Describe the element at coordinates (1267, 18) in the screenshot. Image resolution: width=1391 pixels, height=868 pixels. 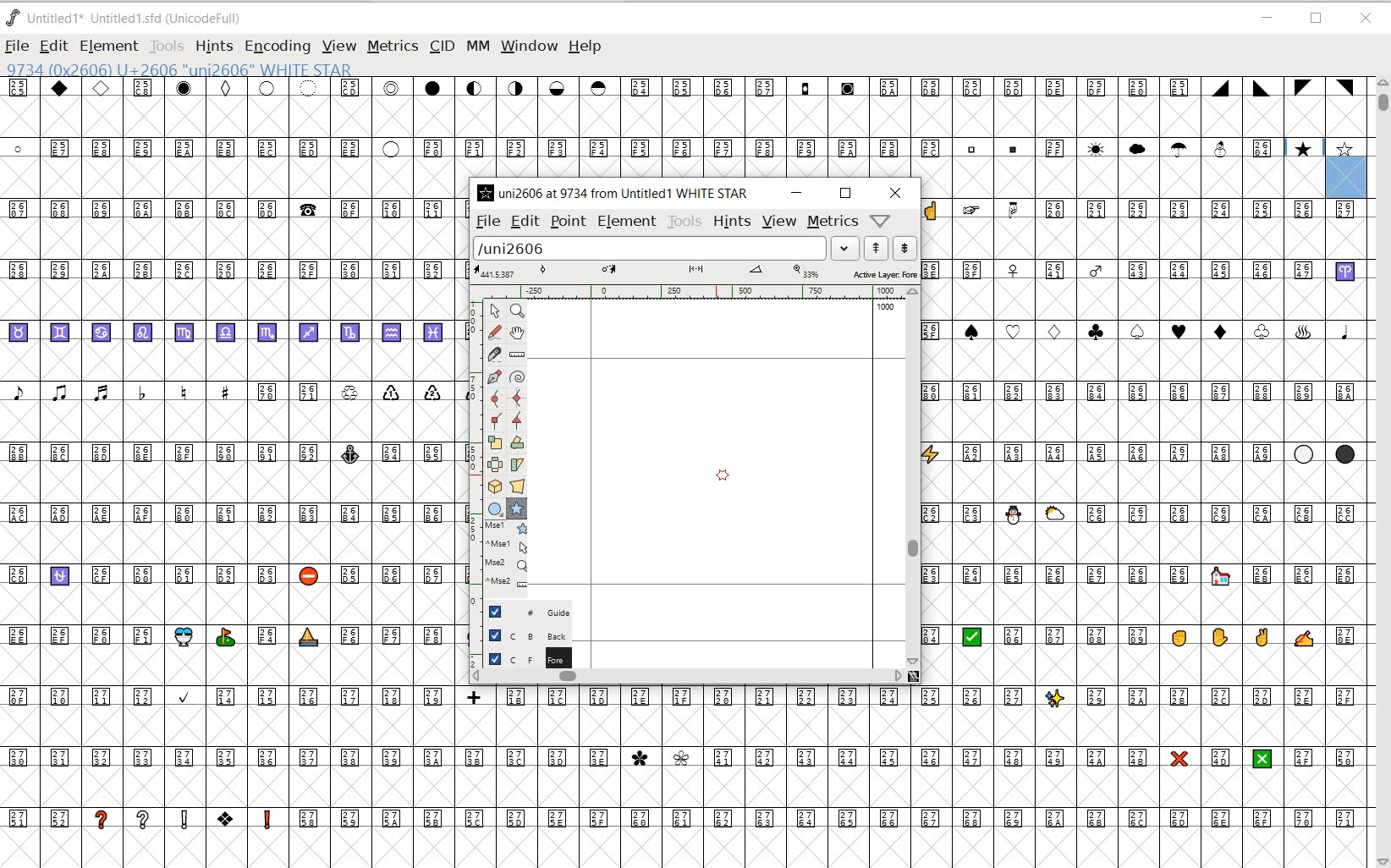
I see `MINIMIZE` at that location.